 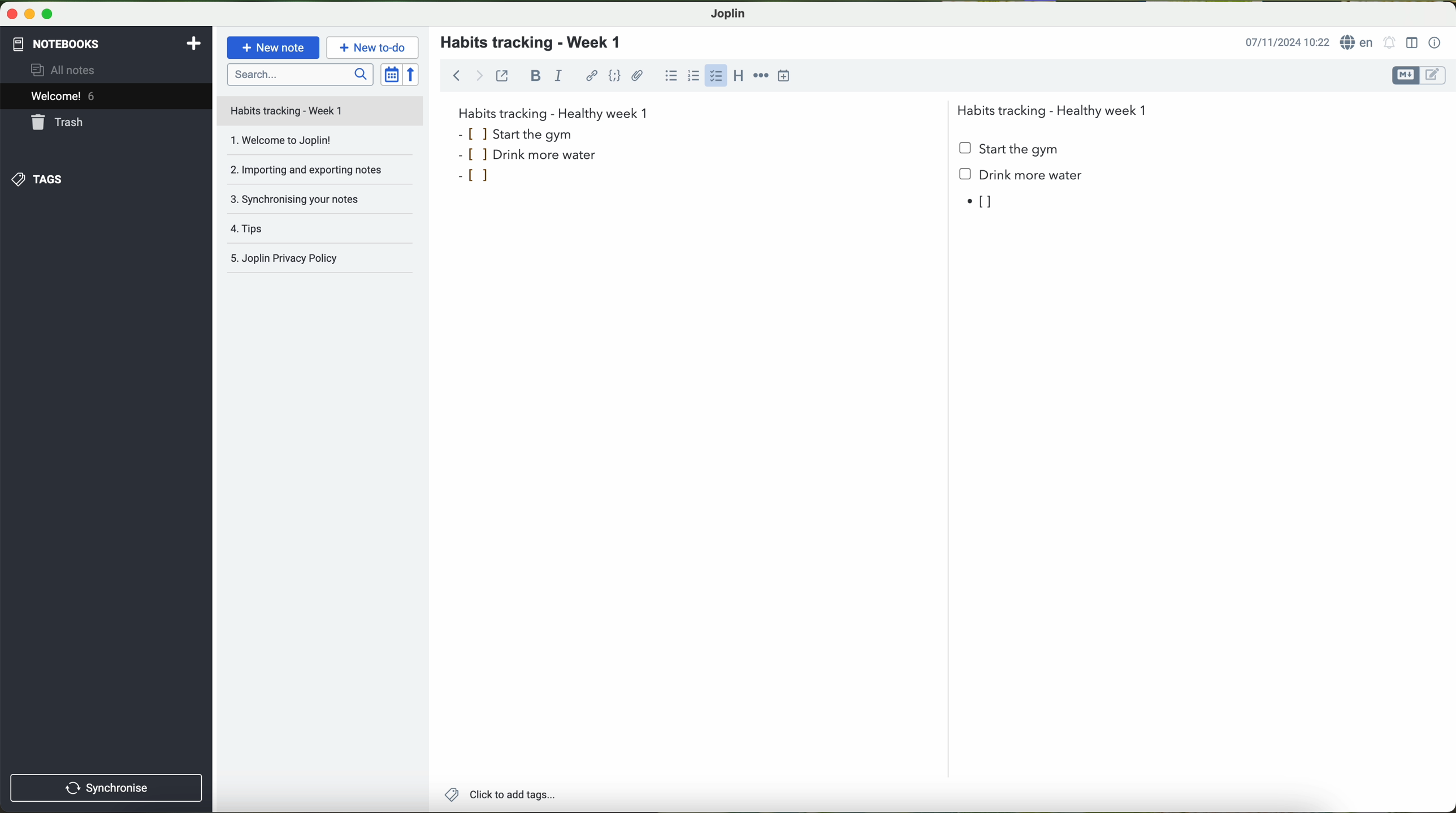 I want to click on heading, so click(x=740, y=79).